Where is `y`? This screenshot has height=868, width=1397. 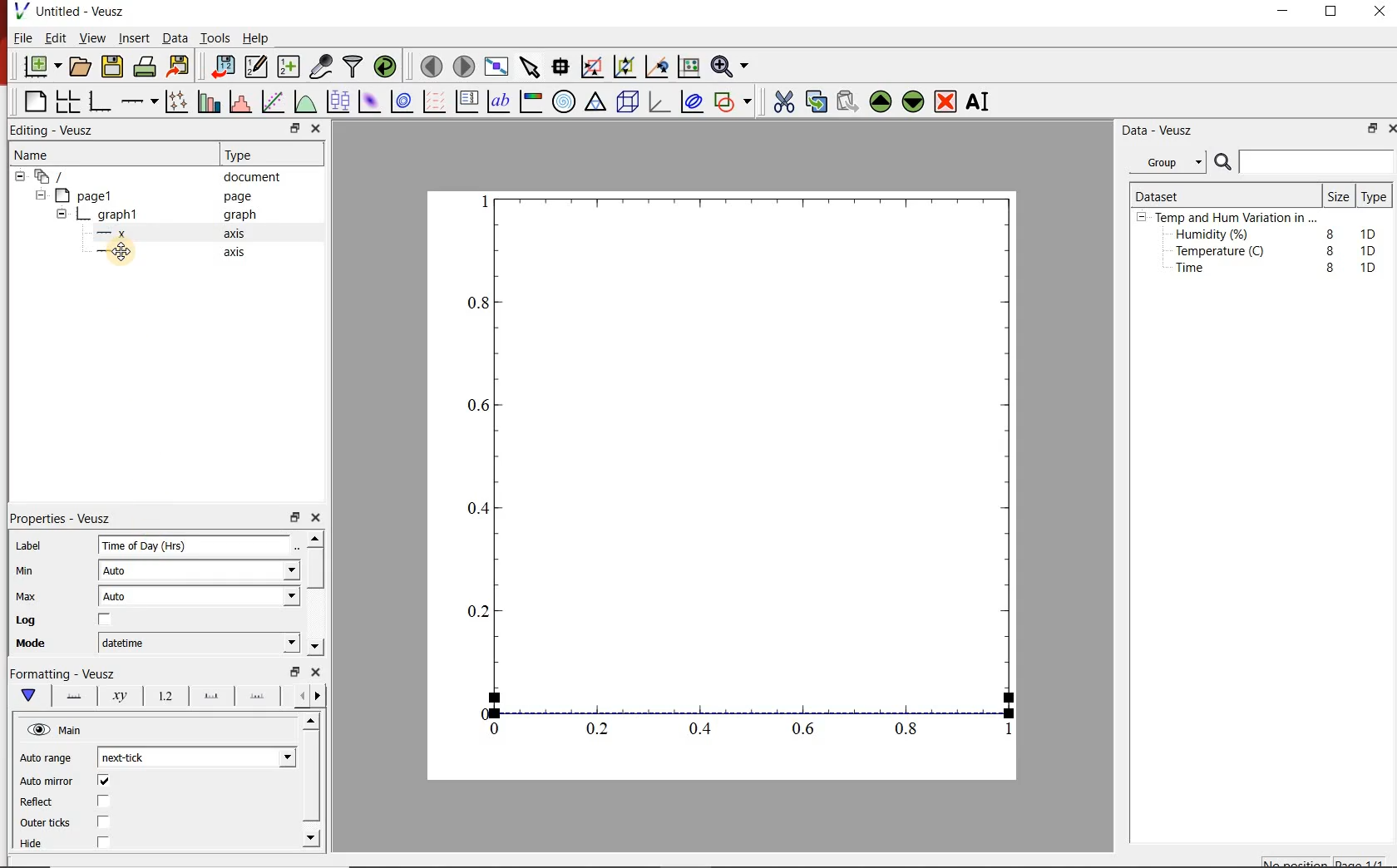 y is located at coordinates (123, 253).